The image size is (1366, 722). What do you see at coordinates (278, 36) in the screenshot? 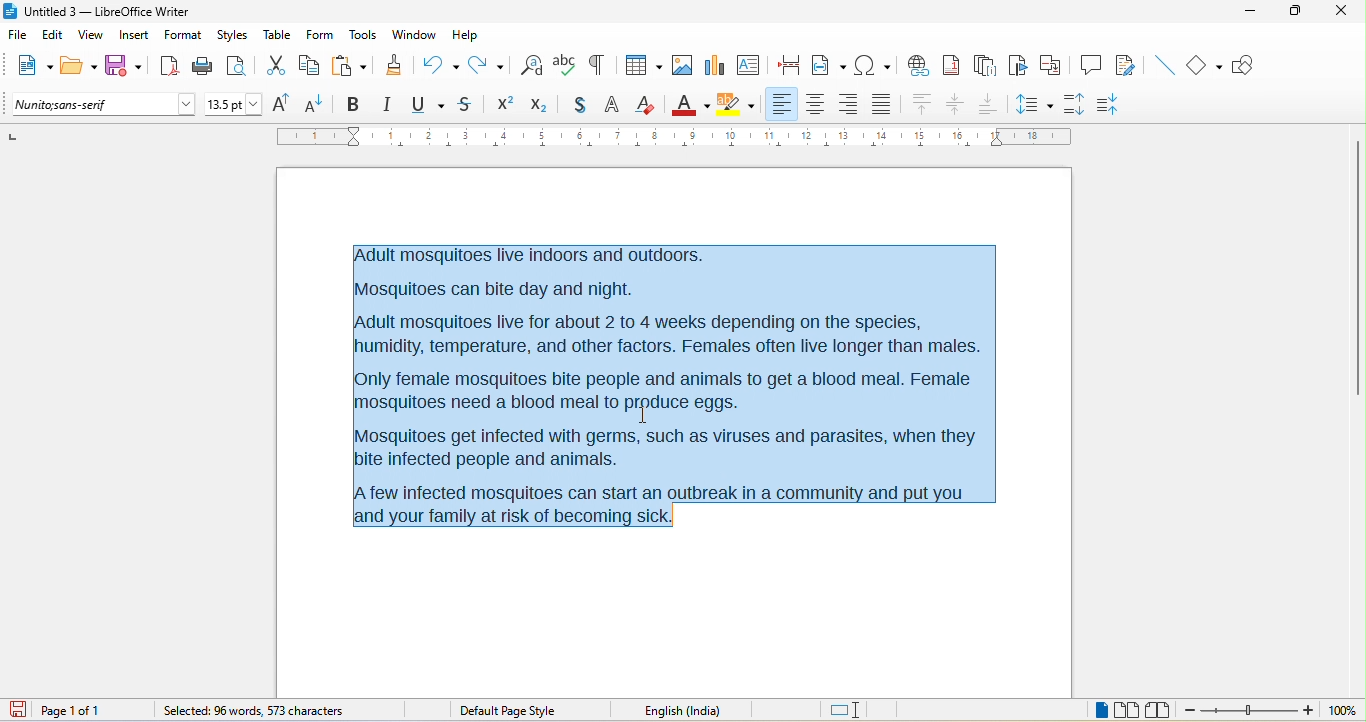
I see `table` at bounding box center [278, 36].